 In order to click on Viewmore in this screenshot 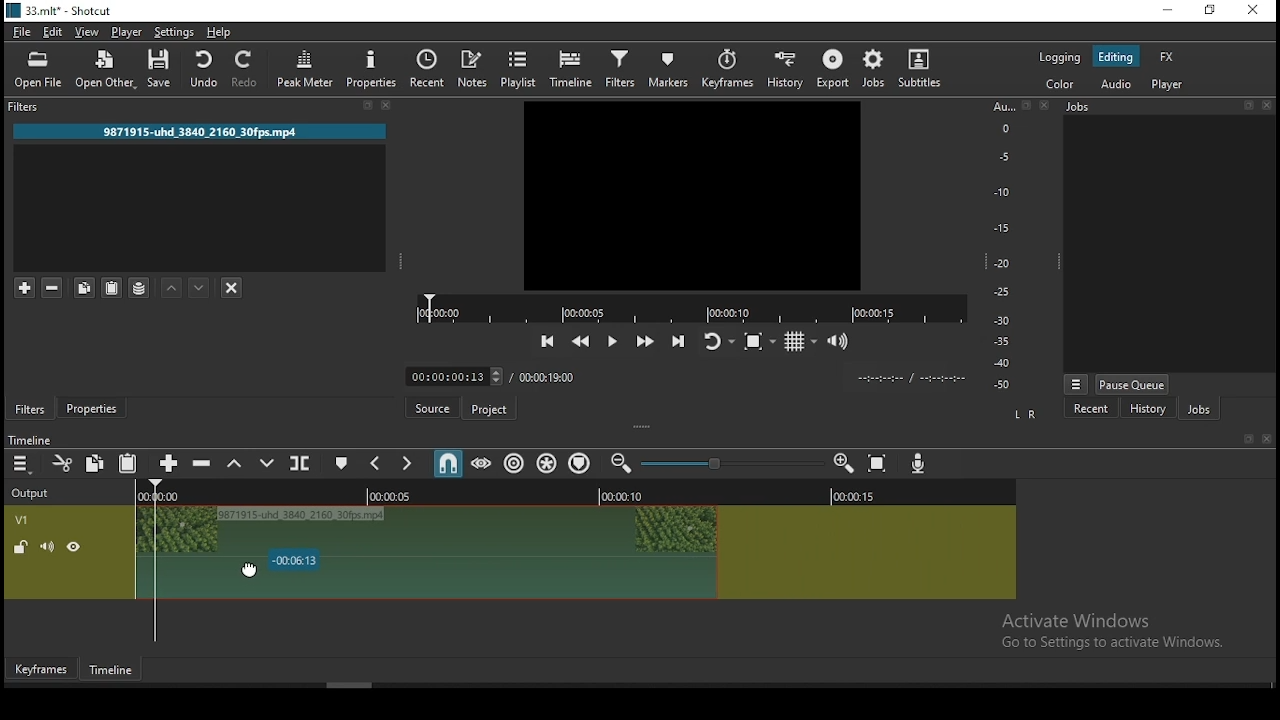, I will do `click(1078, 384)`.